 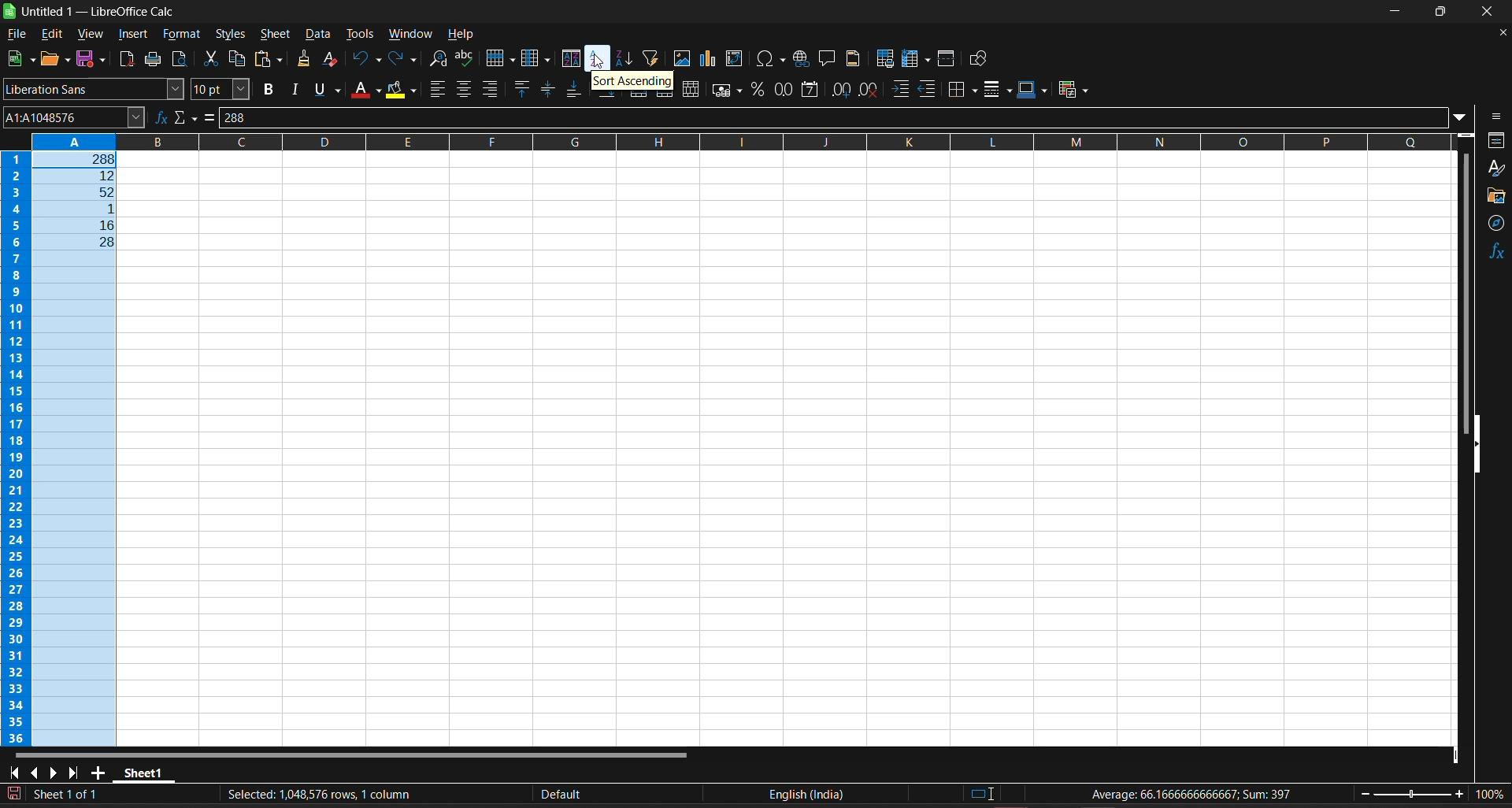 What do you see at coordinates (301, 61) in the screenshot?
I see `clone formatting` at bounding box center [301, 61].